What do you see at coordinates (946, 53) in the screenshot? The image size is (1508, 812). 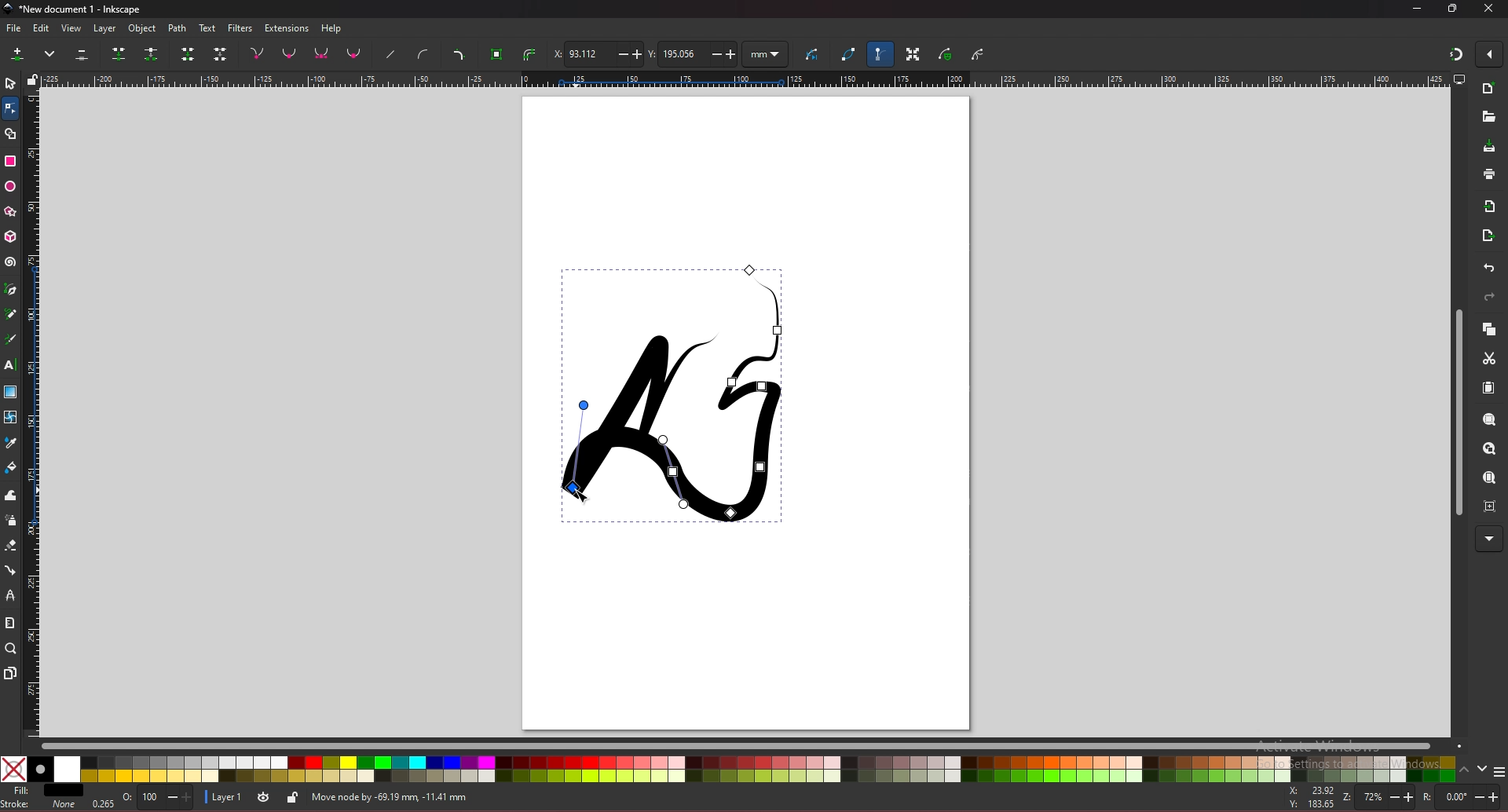 I see `show mask` at bounding box center [946, 53].